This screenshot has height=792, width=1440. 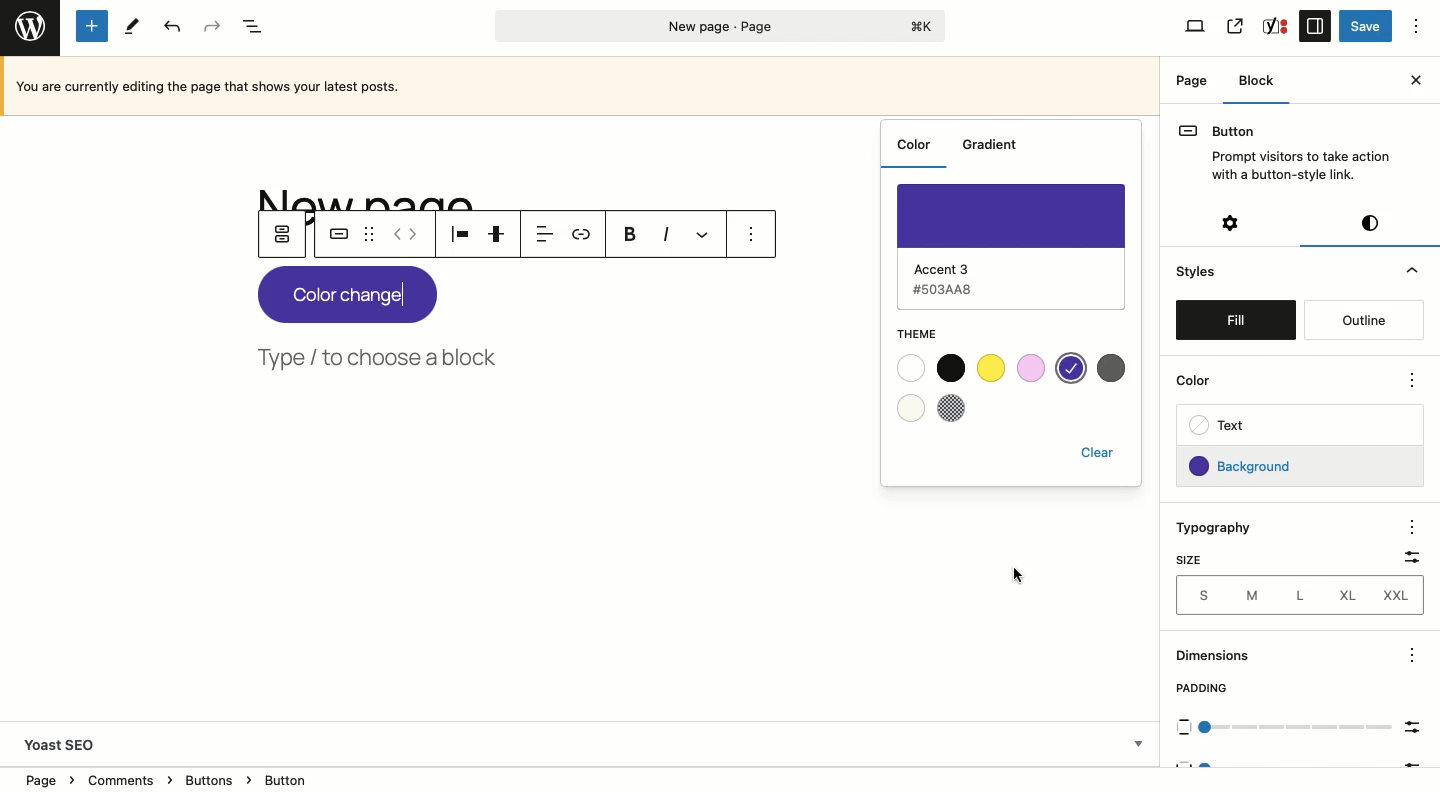 I want to click on Dimensions, so click(x=1224, y=657).